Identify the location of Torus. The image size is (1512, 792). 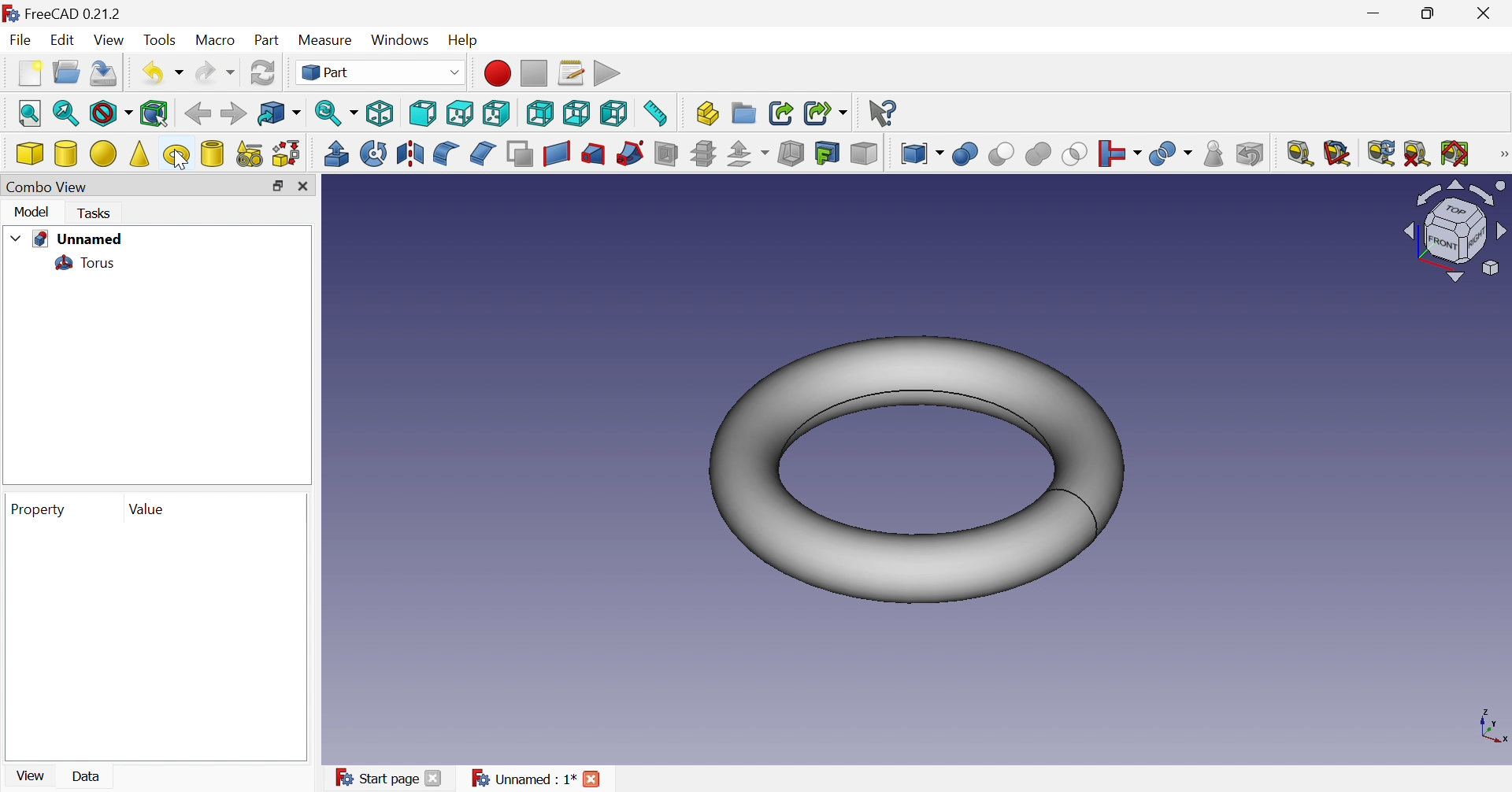
(83, 265).